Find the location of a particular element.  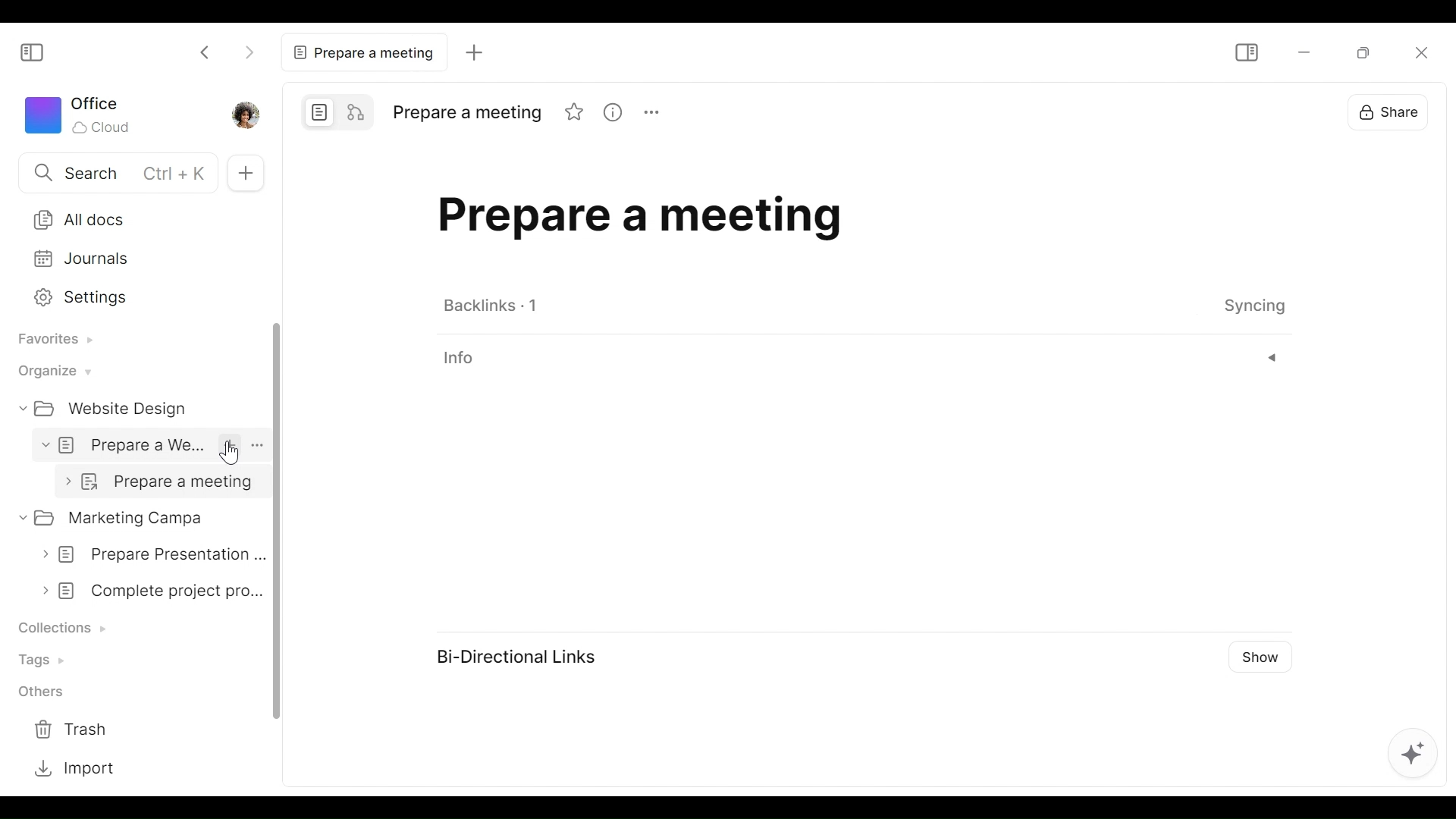

Title is located at coordinates (472, 112).